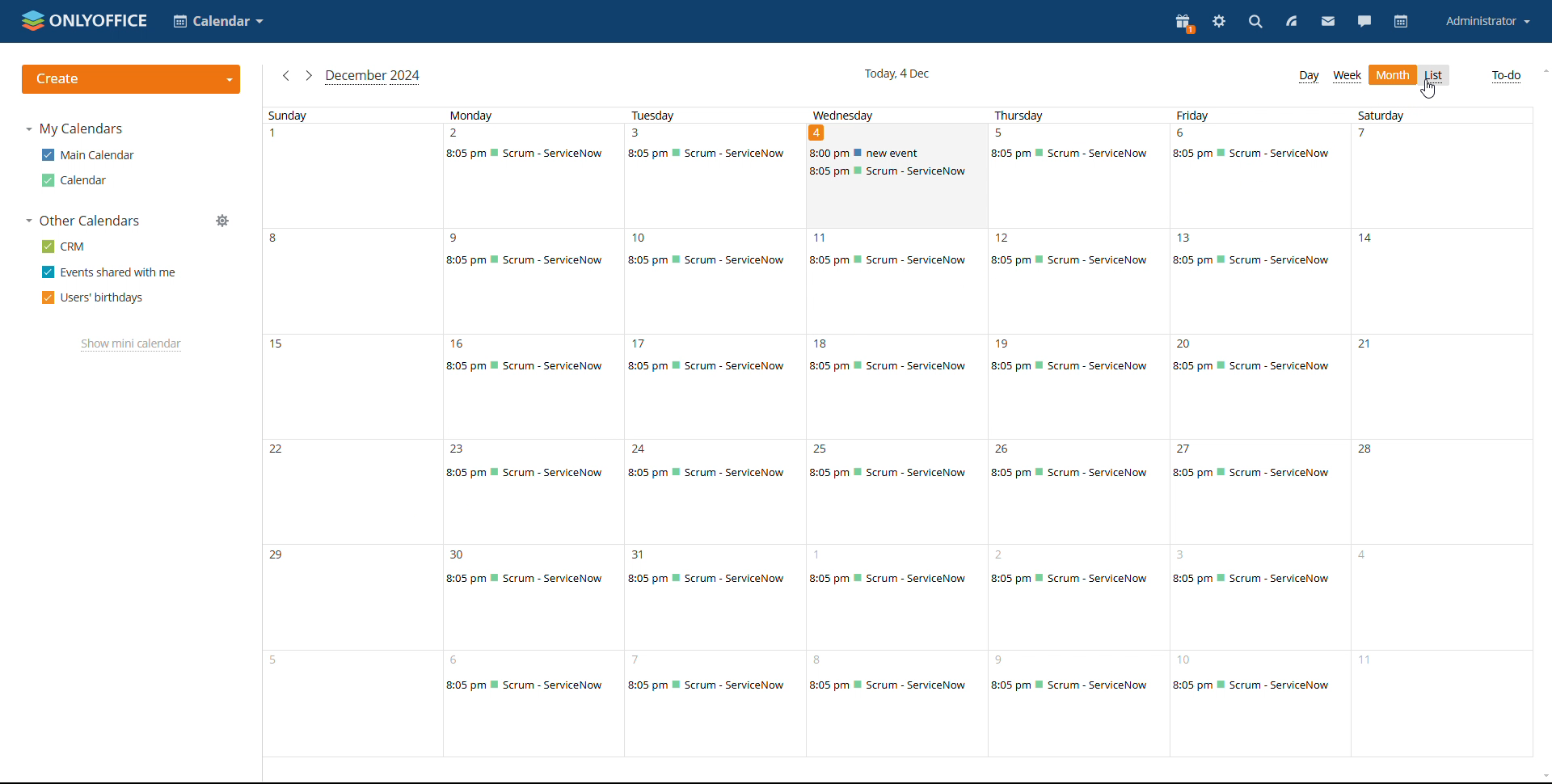 The width and height of the screenshot is (1552, 784). Describe the element at coordinates (896, 163) in the screenshot. I see `overlapping events` at that location.